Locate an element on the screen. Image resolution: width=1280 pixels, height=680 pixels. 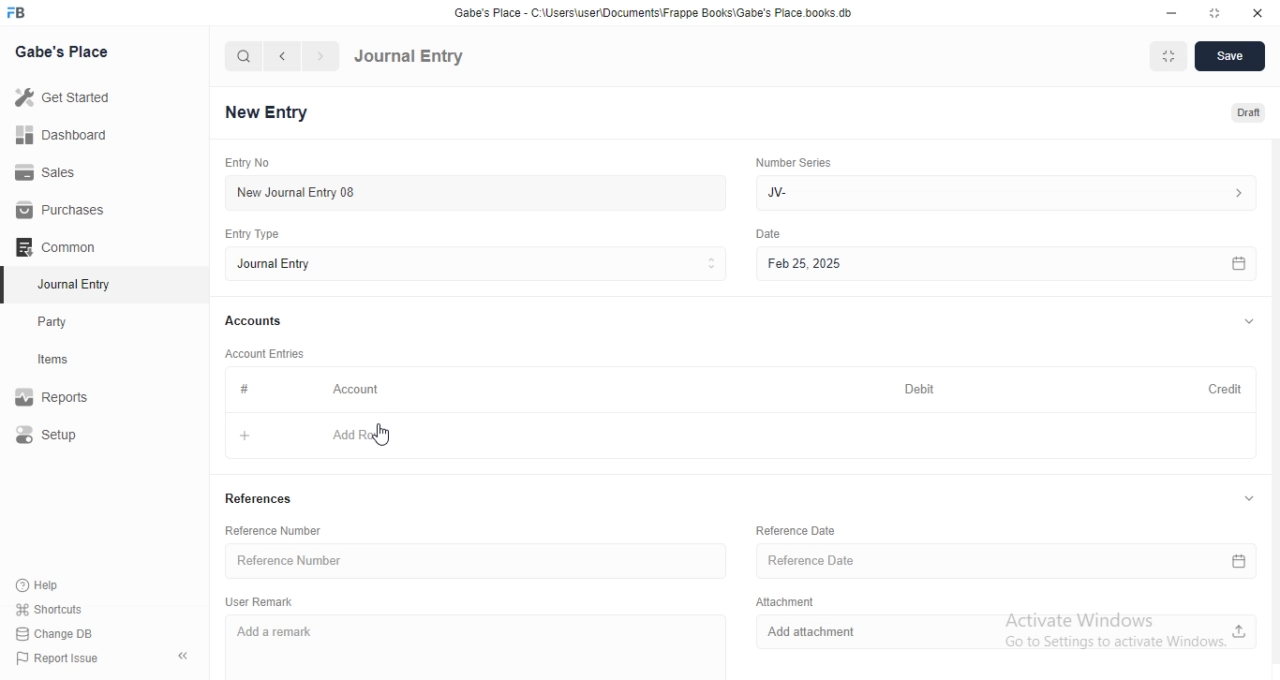
FB is located at coordinates (18, 13).